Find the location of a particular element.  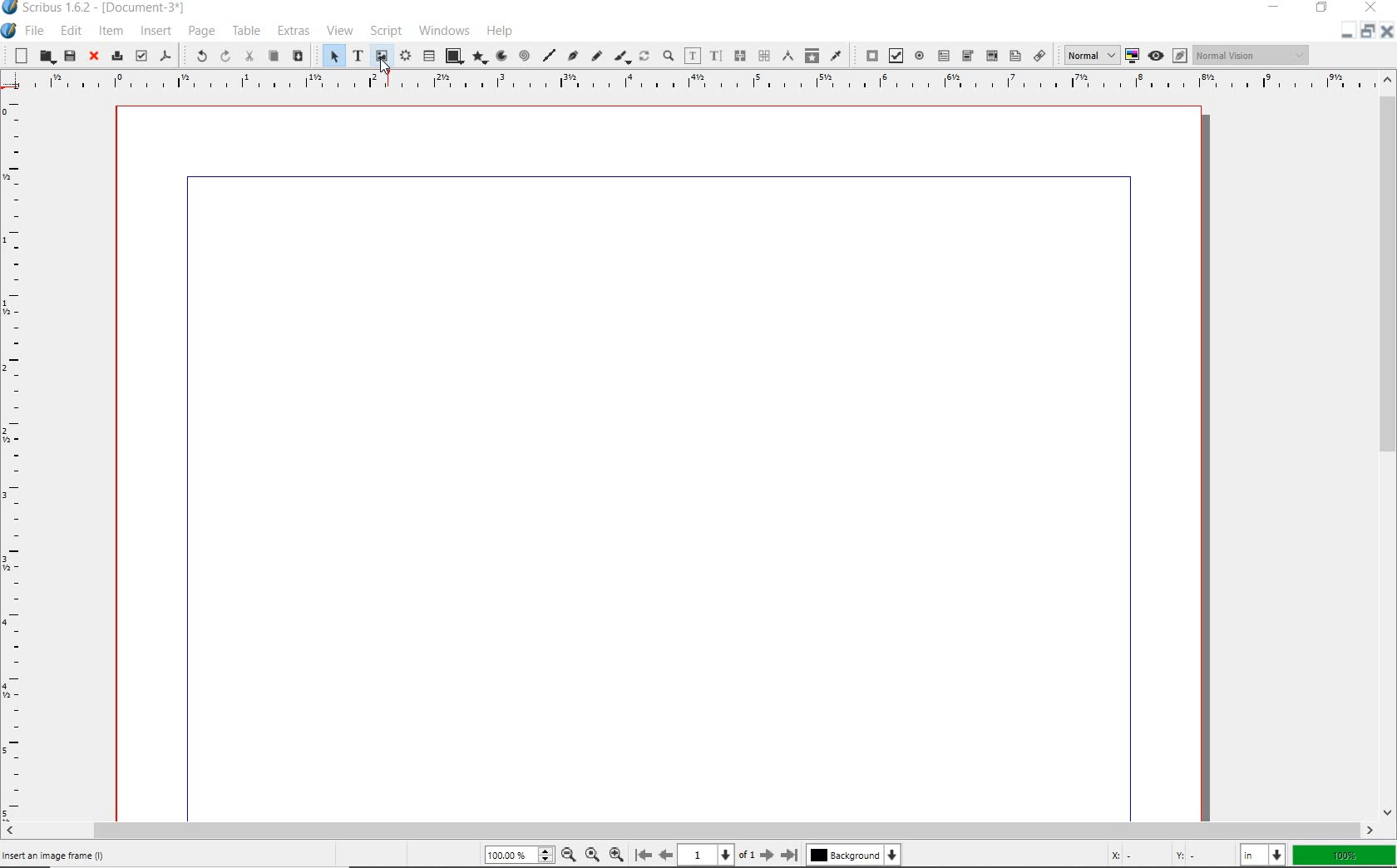

unlink text frames is located at coordinates (759, 57).